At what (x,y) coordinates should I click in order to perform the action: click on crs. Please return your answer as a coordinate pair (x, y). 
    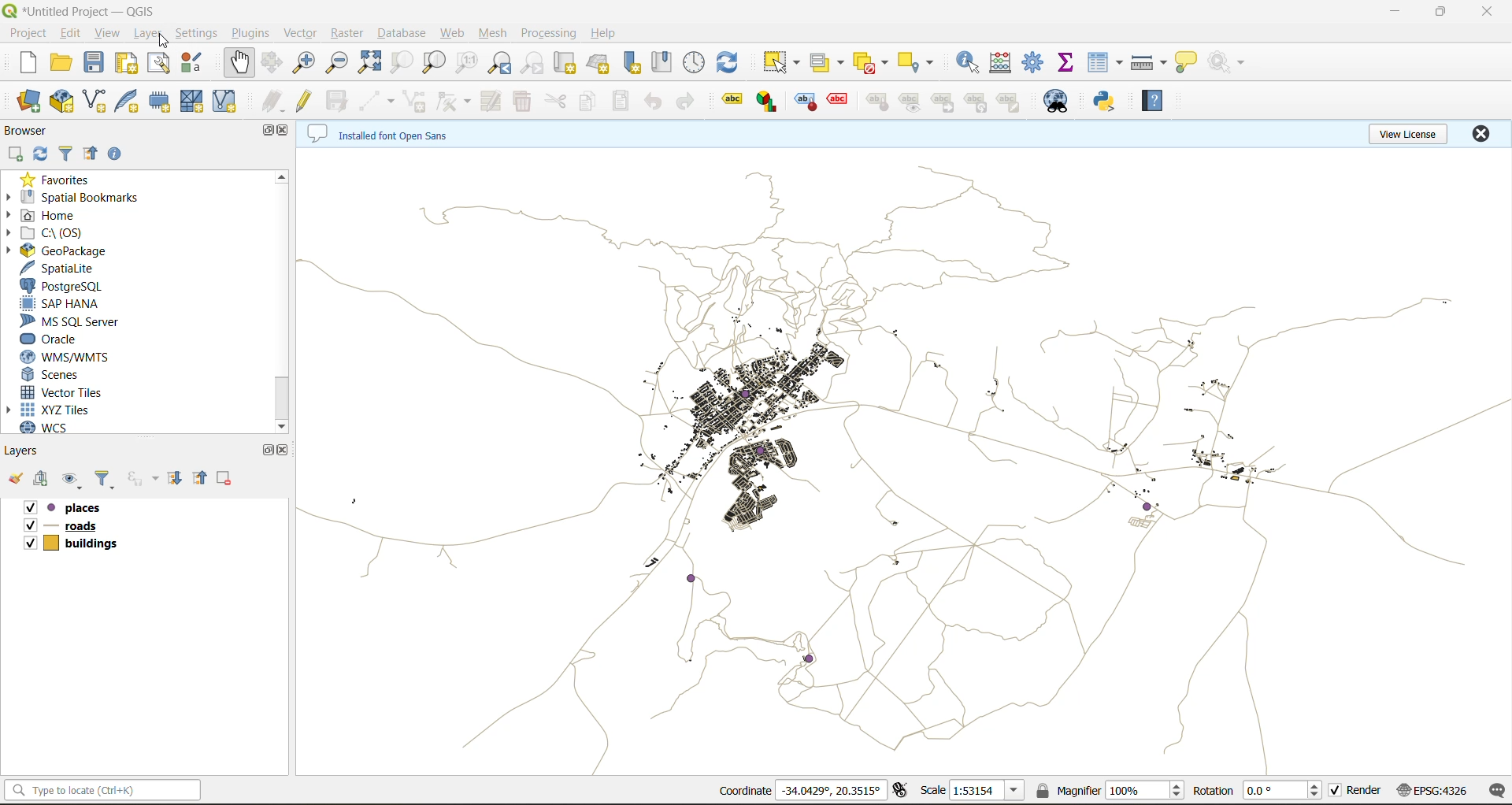
    Looking at the image, I should click on (1434, 791).